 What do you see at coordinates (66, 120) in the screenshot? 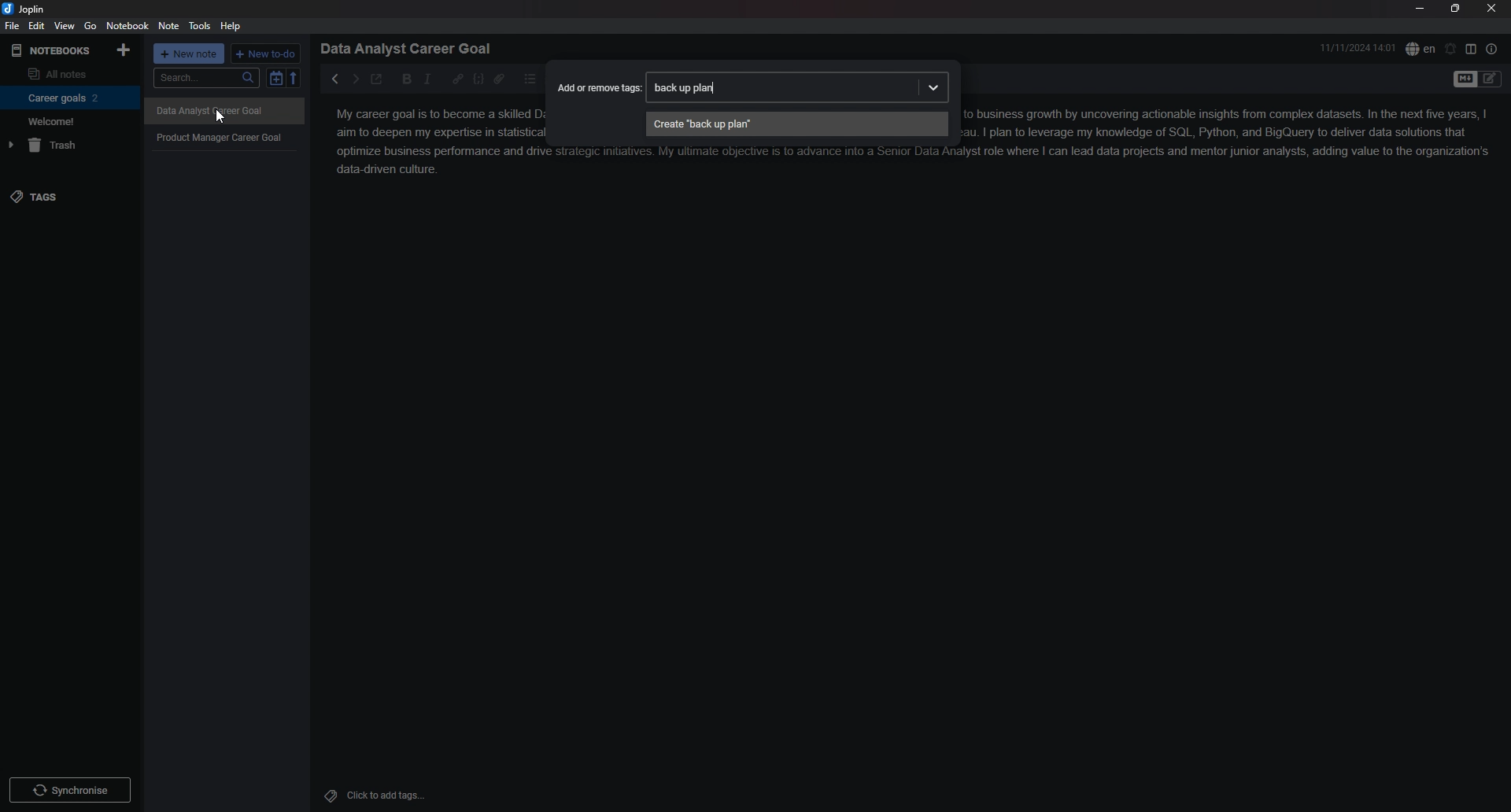
I see `Welcome!` at bounding box center [66, 120].